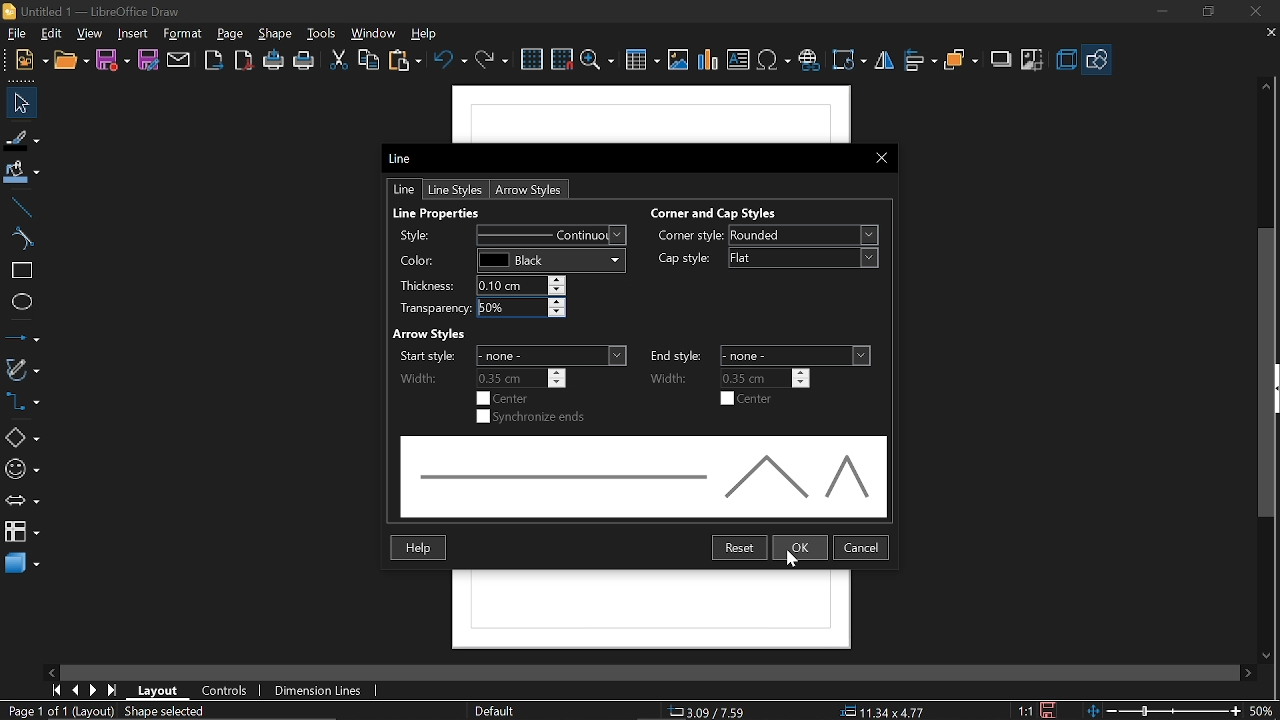 The height and width of the screenshot is (720, 1280). Describe the element at coordinates (112, 60) in the screenshot. I see `save ` at that location.